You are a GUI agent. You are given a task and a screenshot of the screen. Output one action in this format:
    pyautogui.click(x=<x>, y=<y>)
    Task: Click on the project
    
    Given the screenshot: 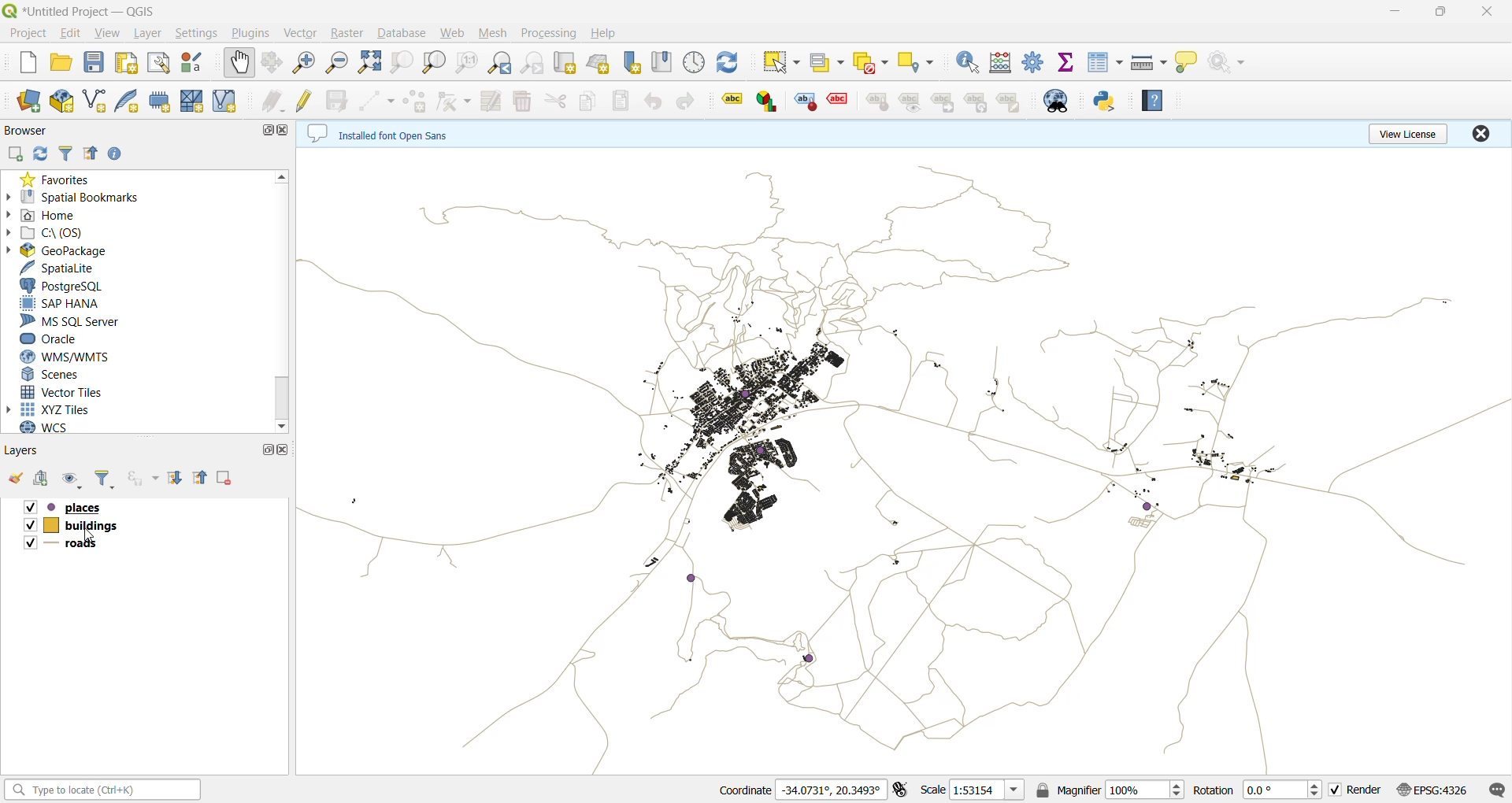 What is the action you would take?
    pyautogui.click(x=27, y=33)
    